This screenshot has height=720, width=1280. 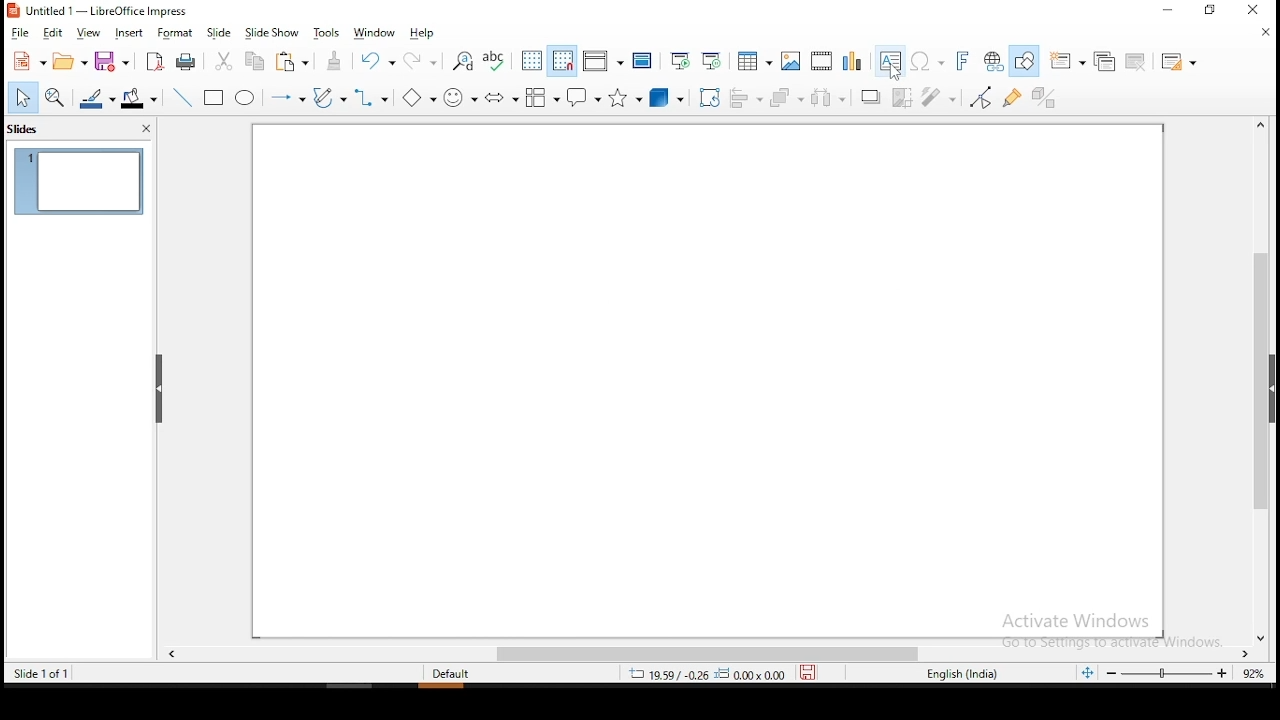 I want to click on insert font work text, so click(x=965, y=62).